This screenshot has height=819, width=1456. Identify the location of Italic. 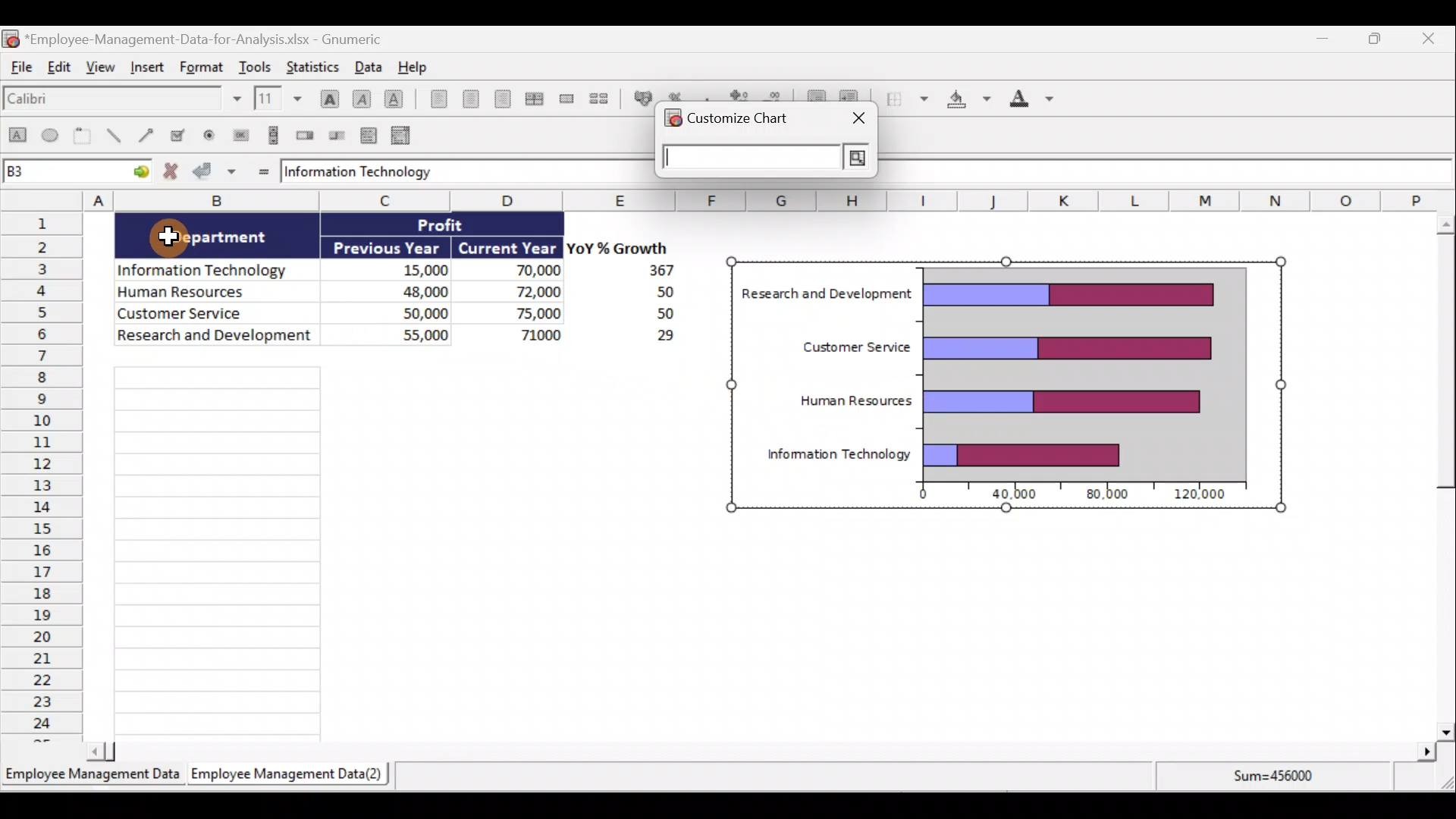
(364, 99).